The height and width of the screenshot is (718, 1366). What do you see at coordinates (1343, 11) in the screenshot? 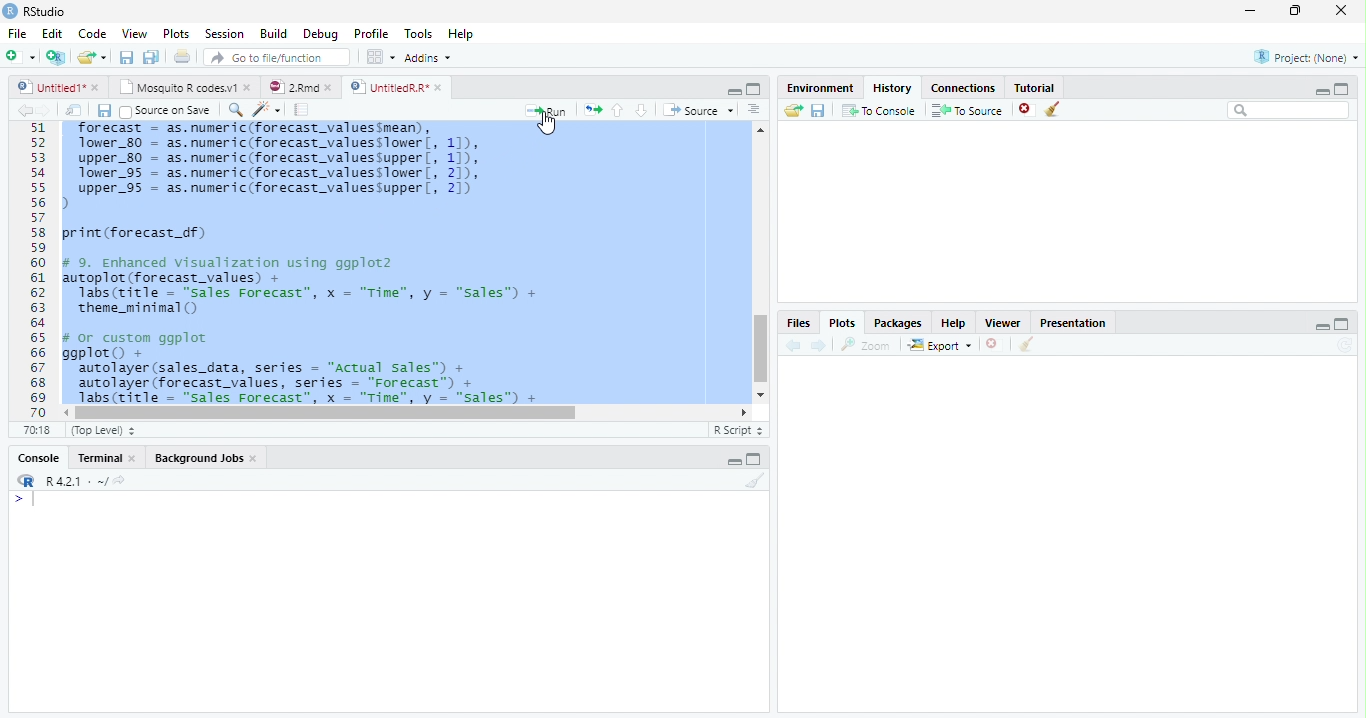
I see `Close` at bounding box center [1343, 11].